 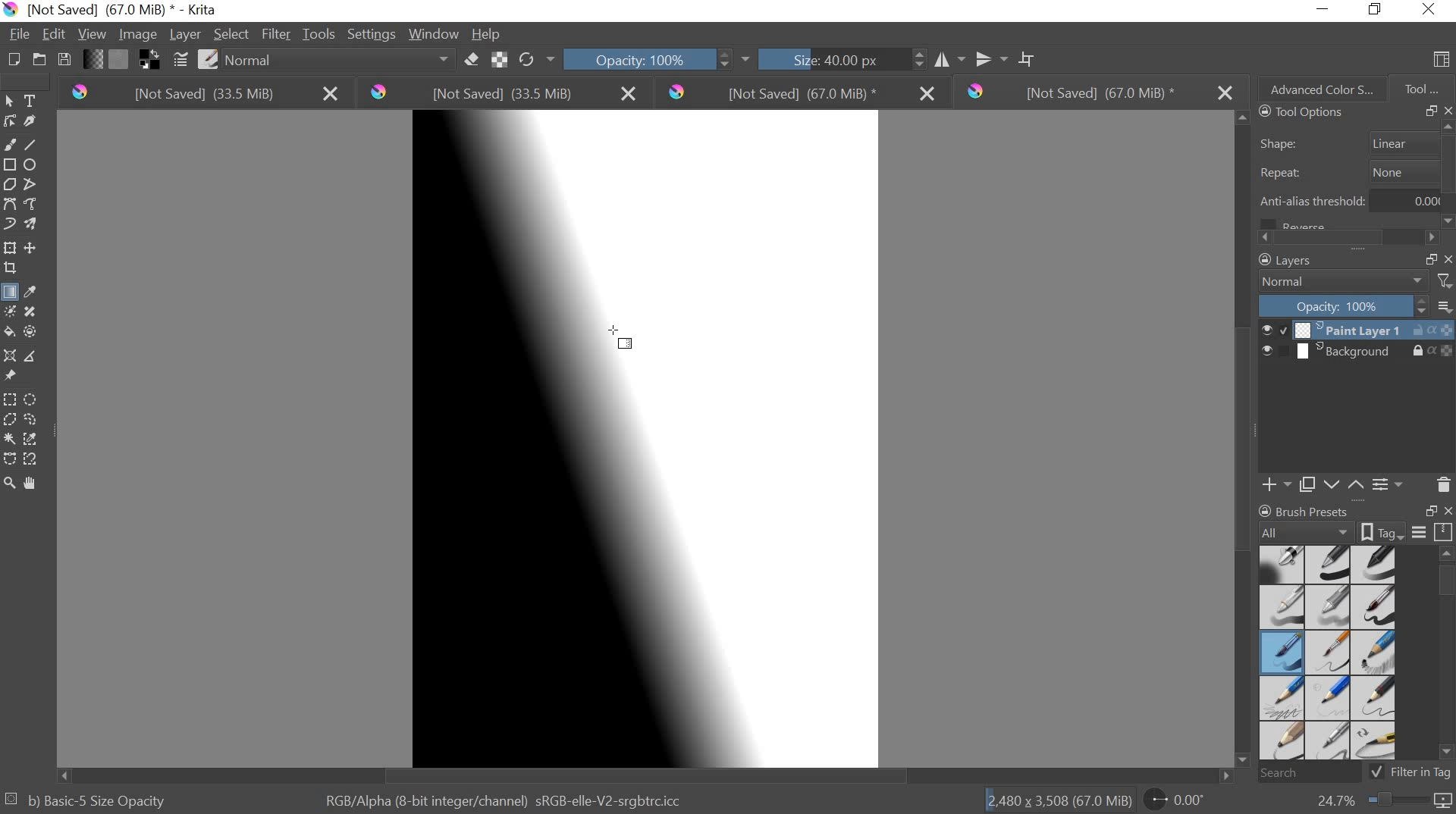 I want to click on WRAP AROUND MODE, so click(x=1032, y=56).